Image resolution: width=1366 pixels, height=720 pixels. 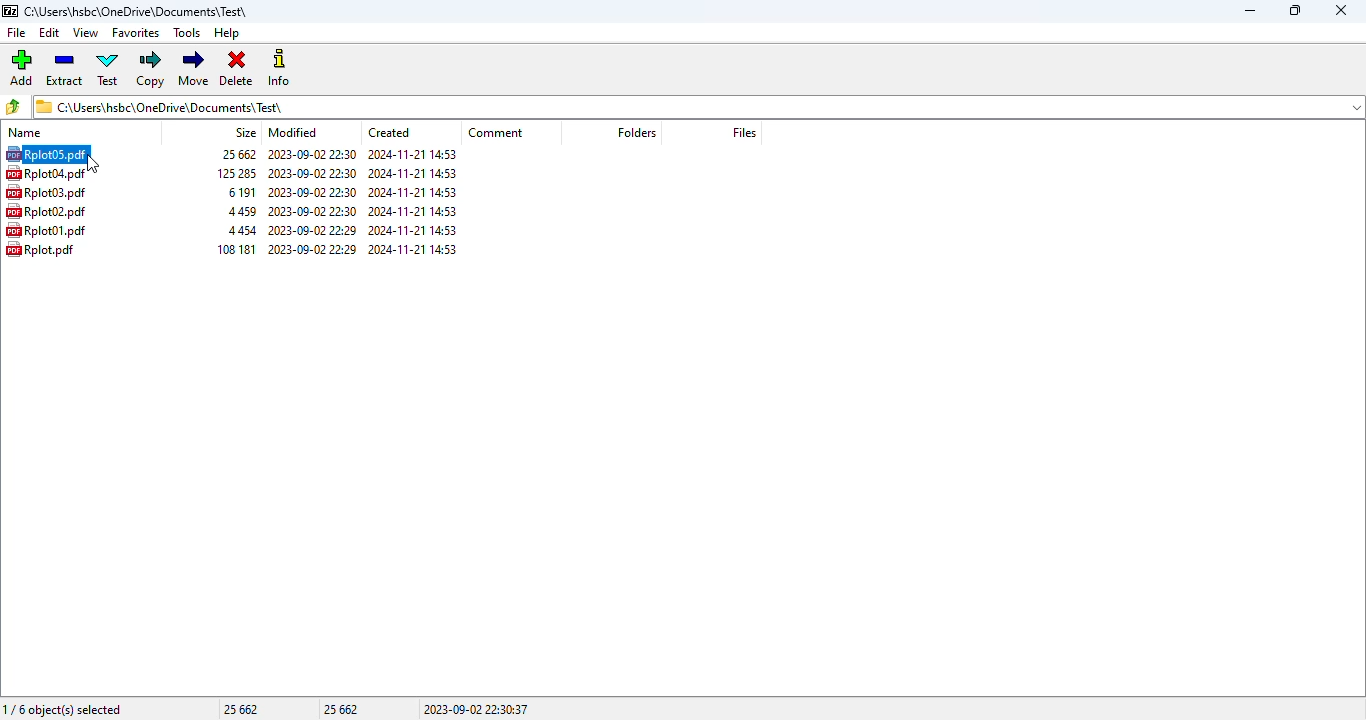 What do you see at coordinates (93, 164) in the screenshot?
I see `cursor` at bounding box center [93, 164].